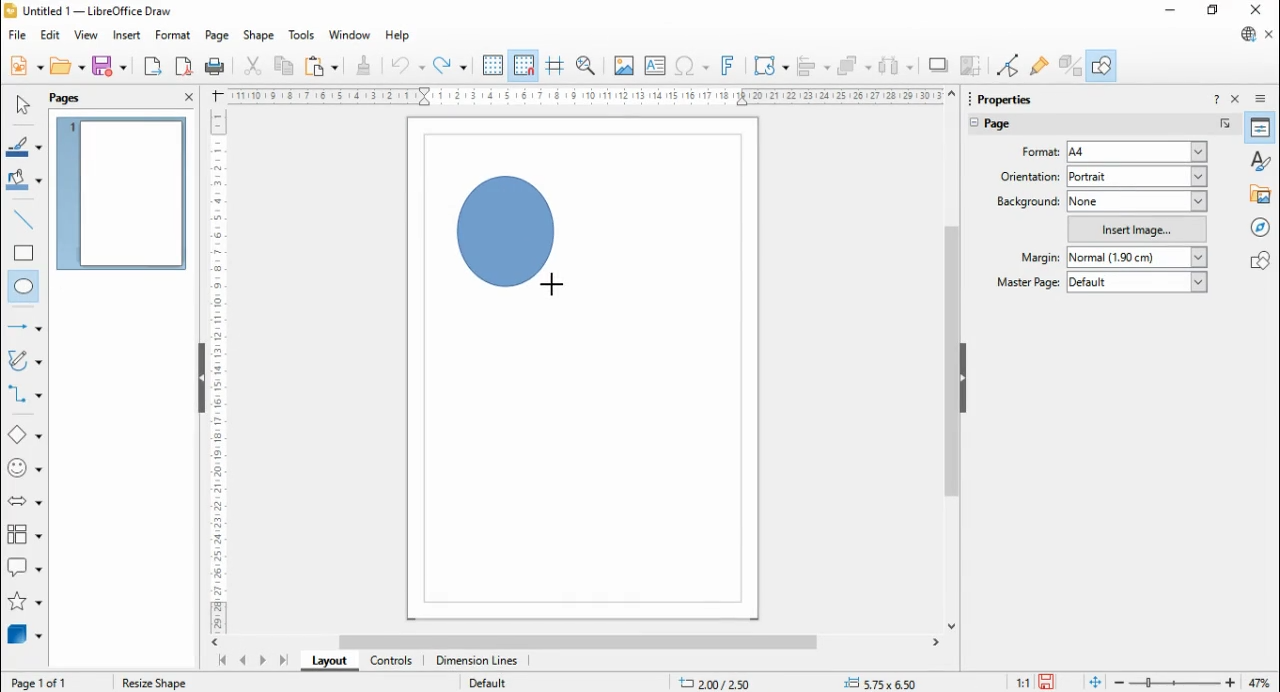  What do you see at coordinates (1216, 98) in the screenshot?
I see `help about this sidebar deck` at bounding box center [1216, 98].